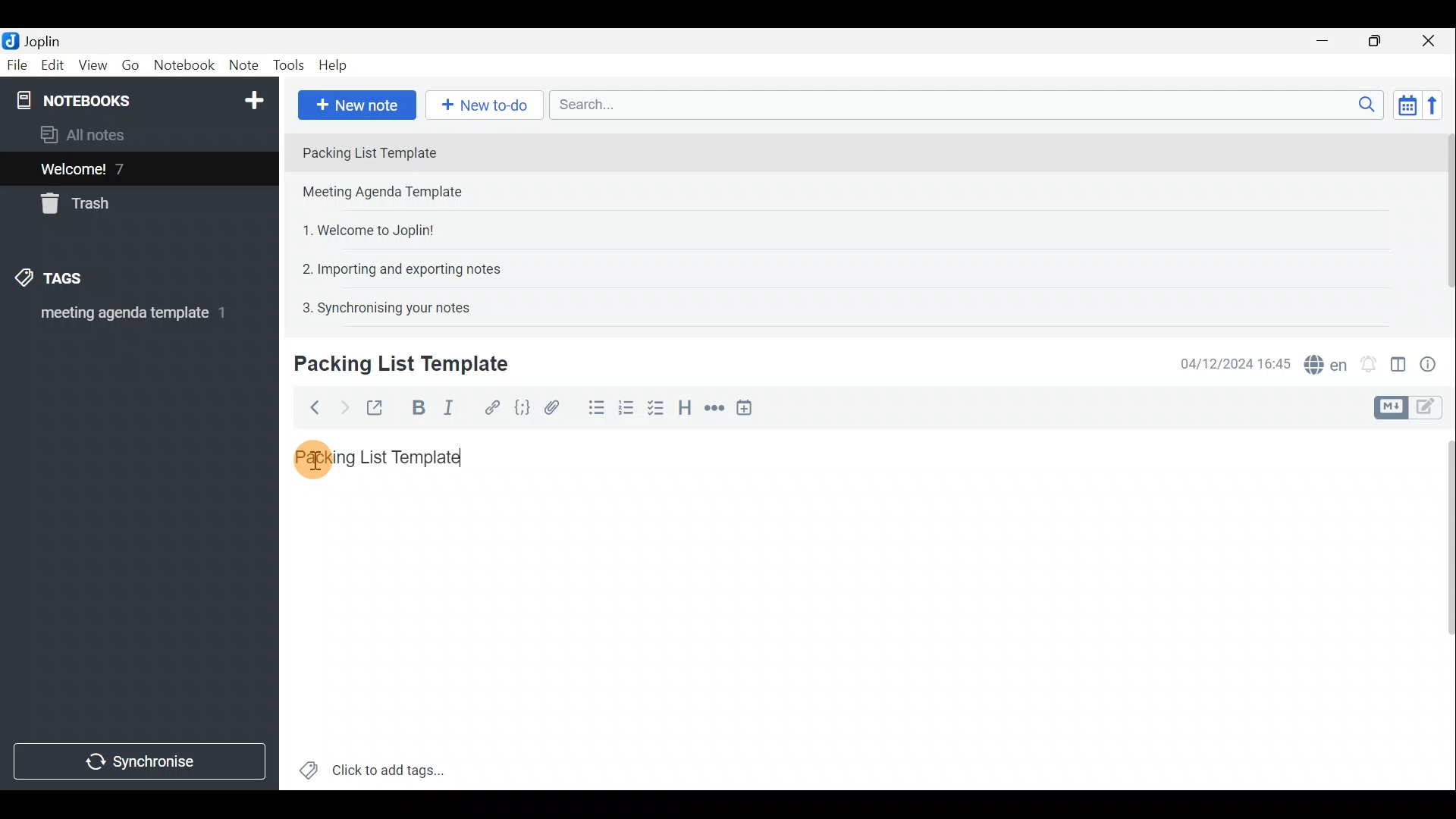 This screenshot has height=819, width=1456. Describe the element at coordinates (1380, 41) in the screenshot. I see `Maximise` at that location.